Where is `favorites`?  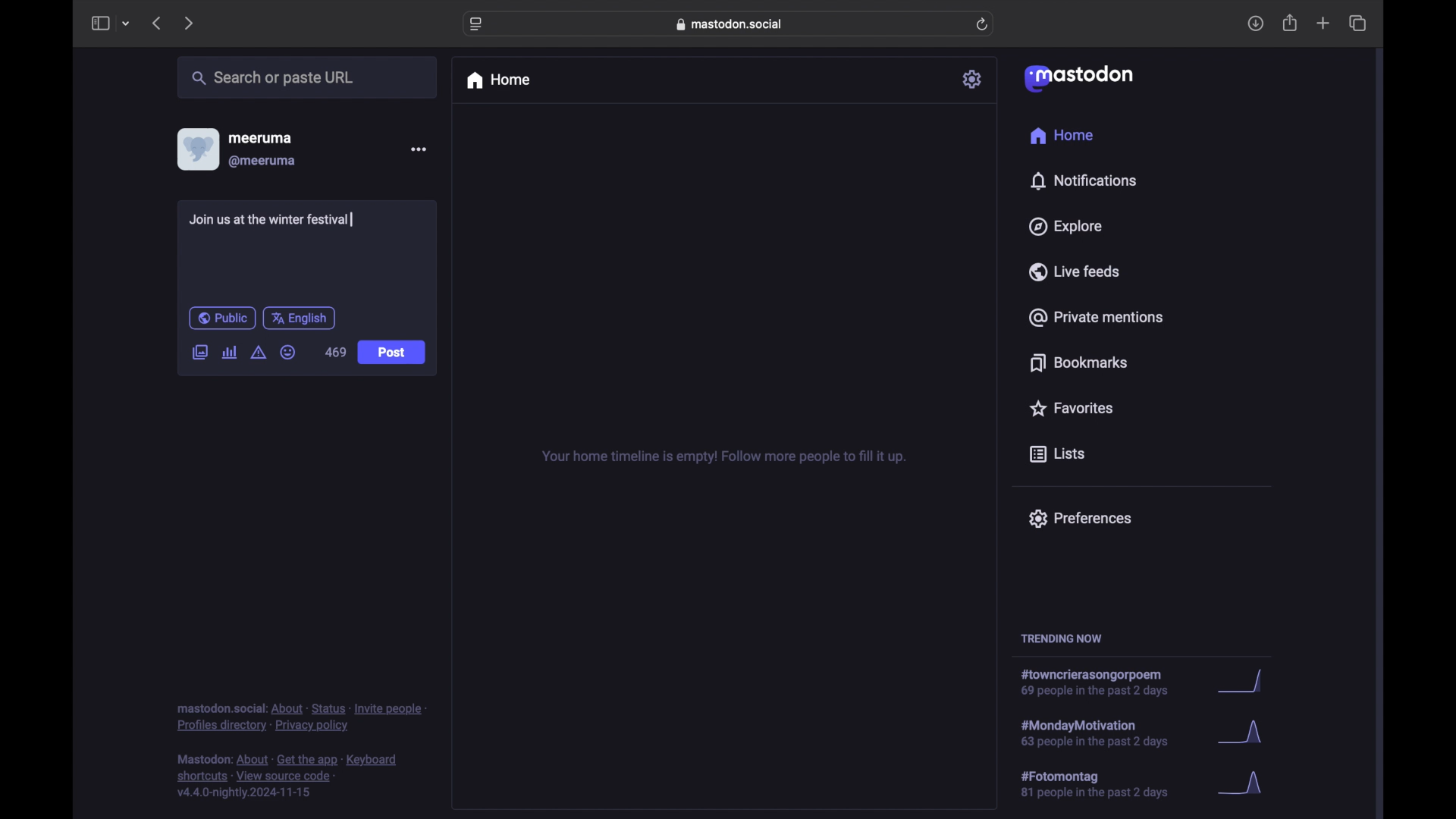
favorites is located at coordinates (1070, 408).